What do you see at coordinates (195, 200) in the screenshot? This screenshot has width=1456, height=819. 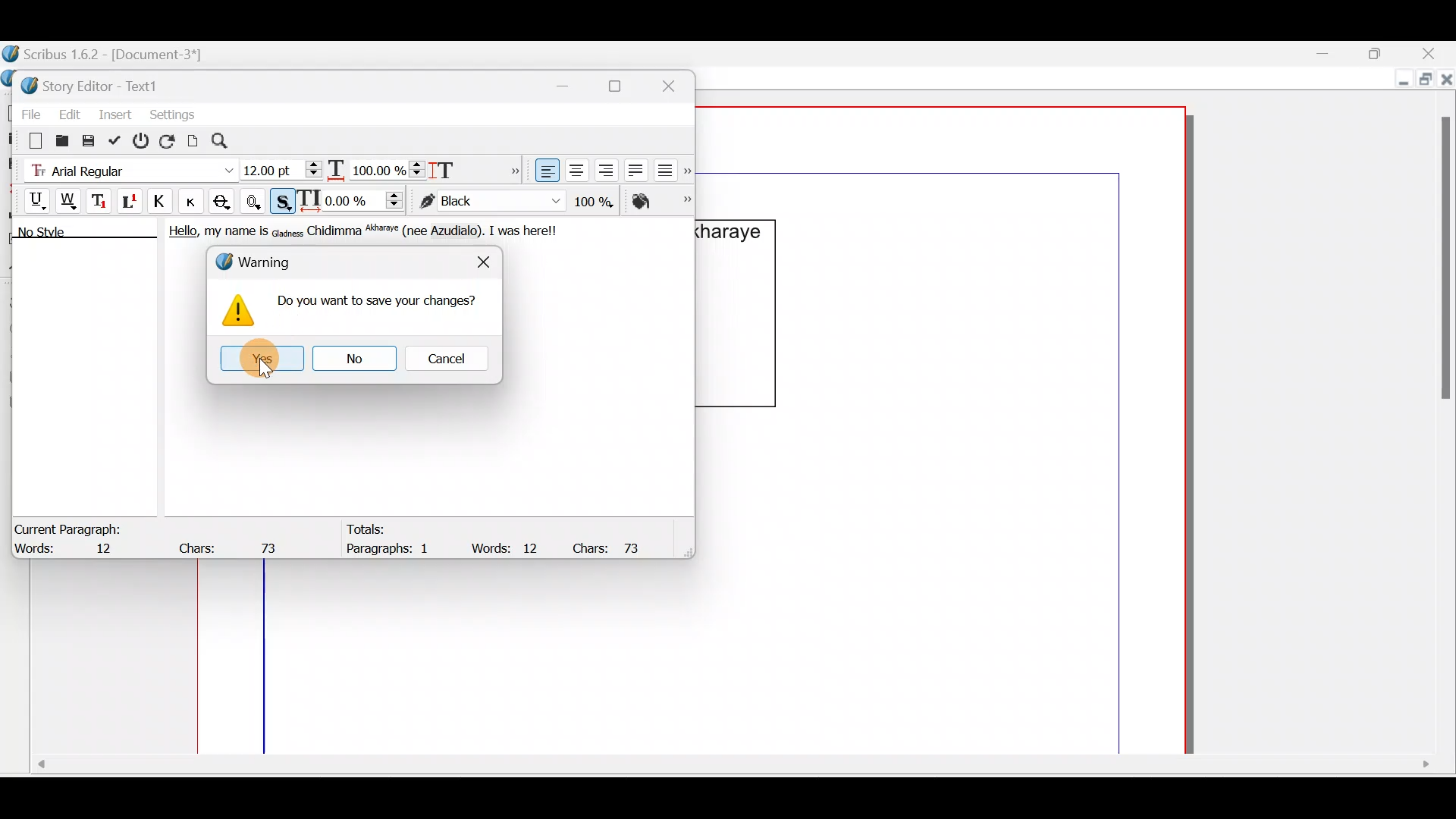 I see `Small caps` at bounding box center [195, 200].